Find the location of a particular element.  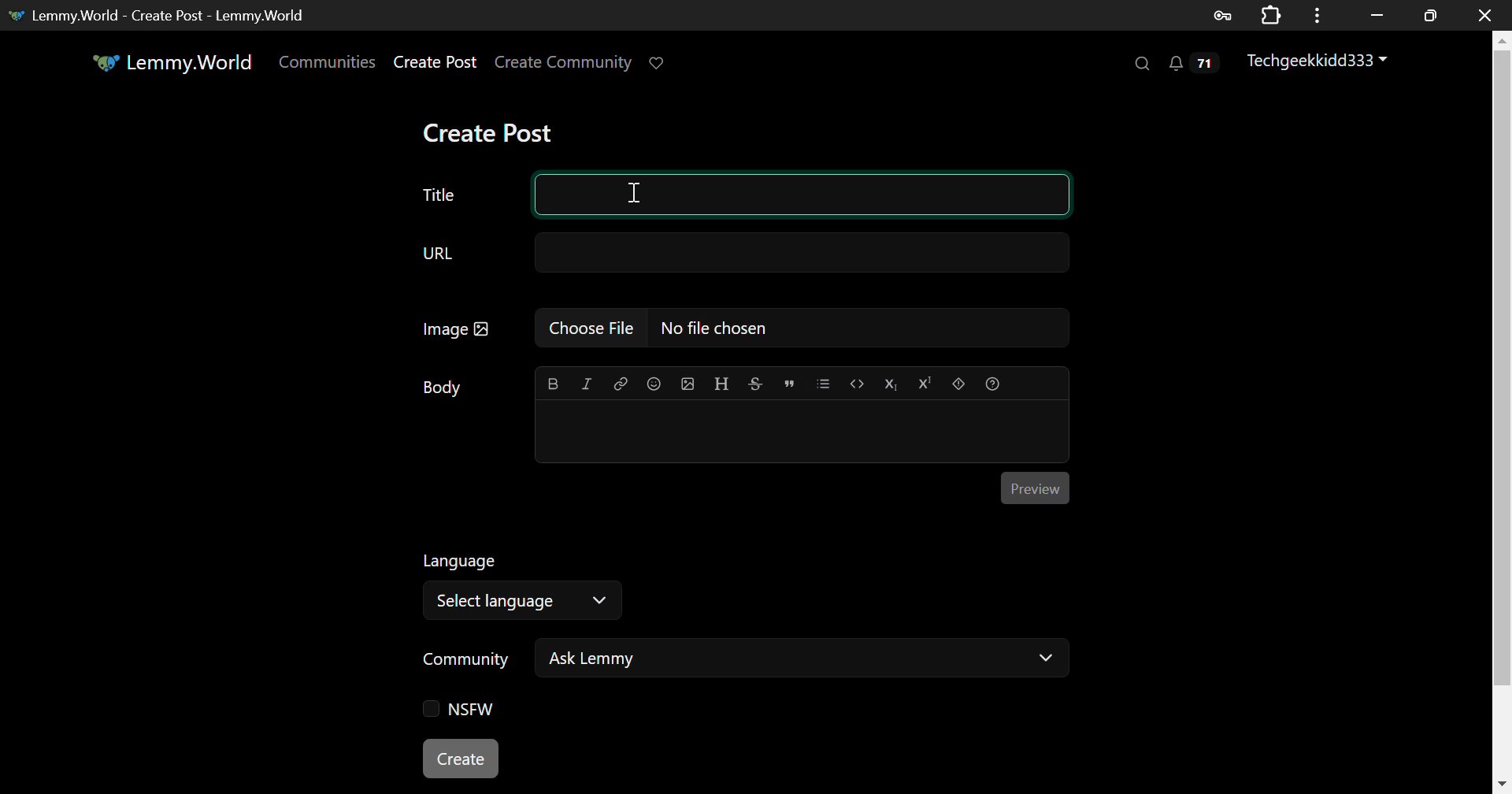

Minimize is located at coordinates (1431, 16).